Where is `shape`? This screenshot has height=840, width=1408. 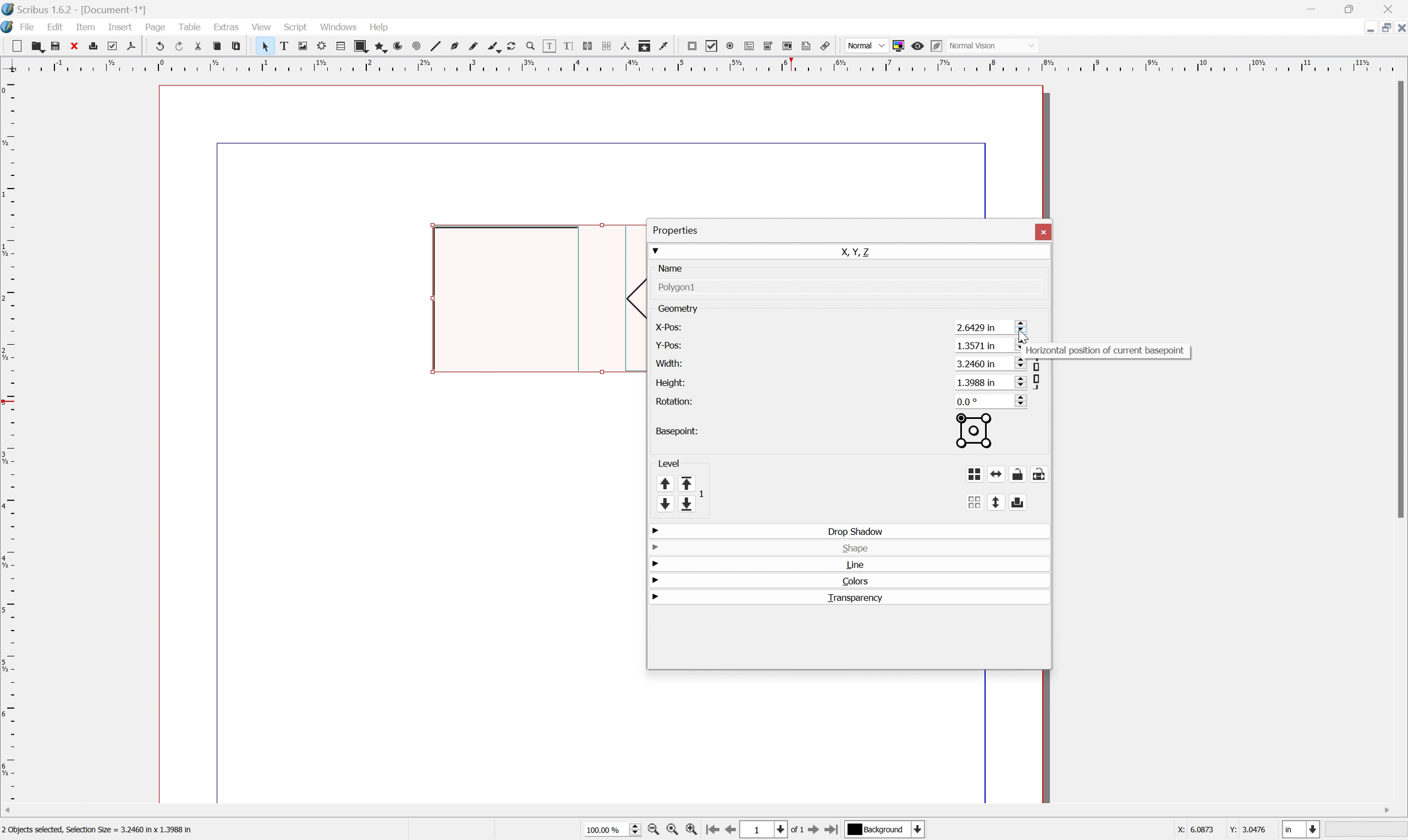
shape is located at coordinates (359, 46).